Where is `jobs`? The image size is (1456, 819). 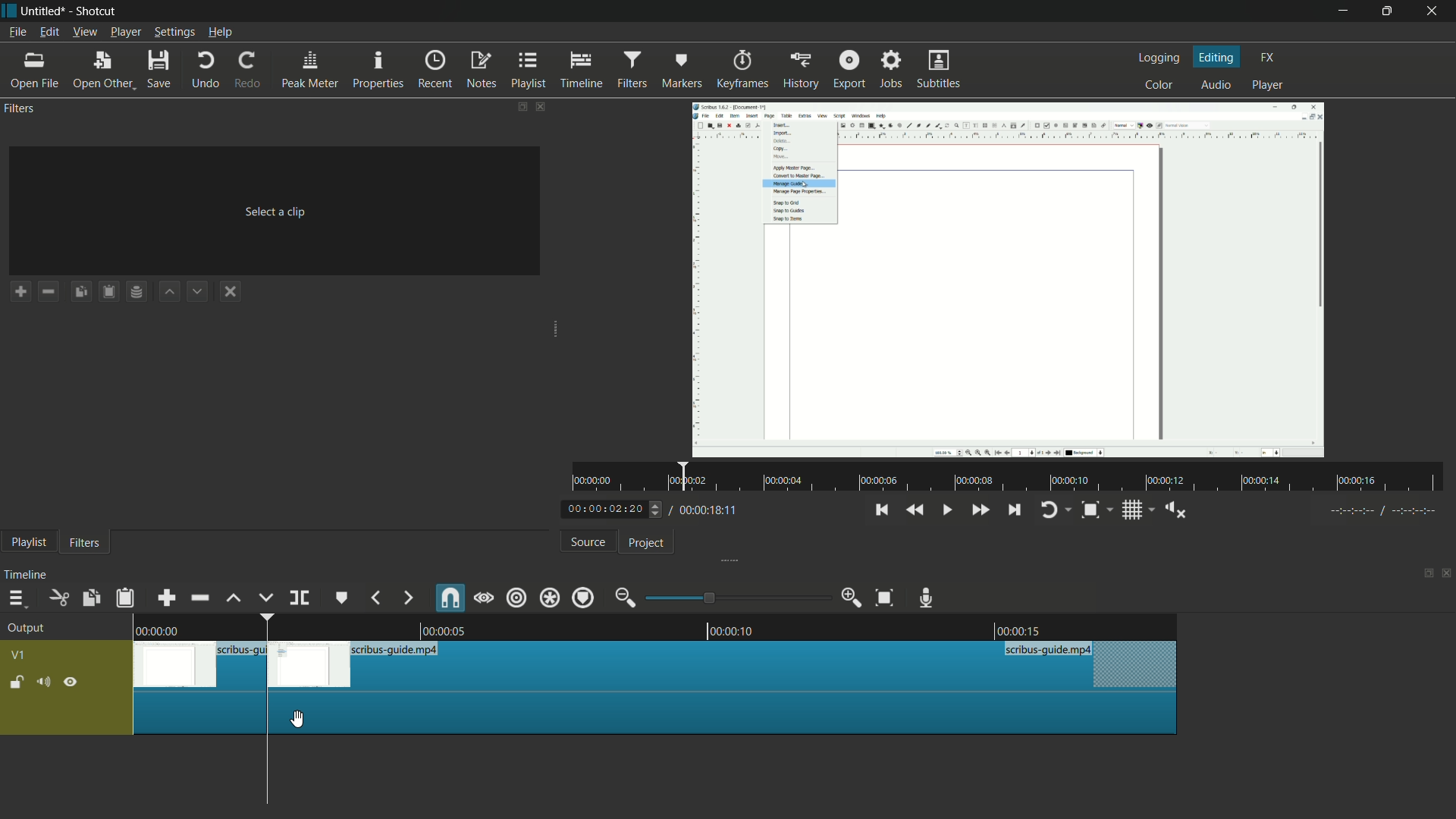
jobs is located at coordinates (893, 68).